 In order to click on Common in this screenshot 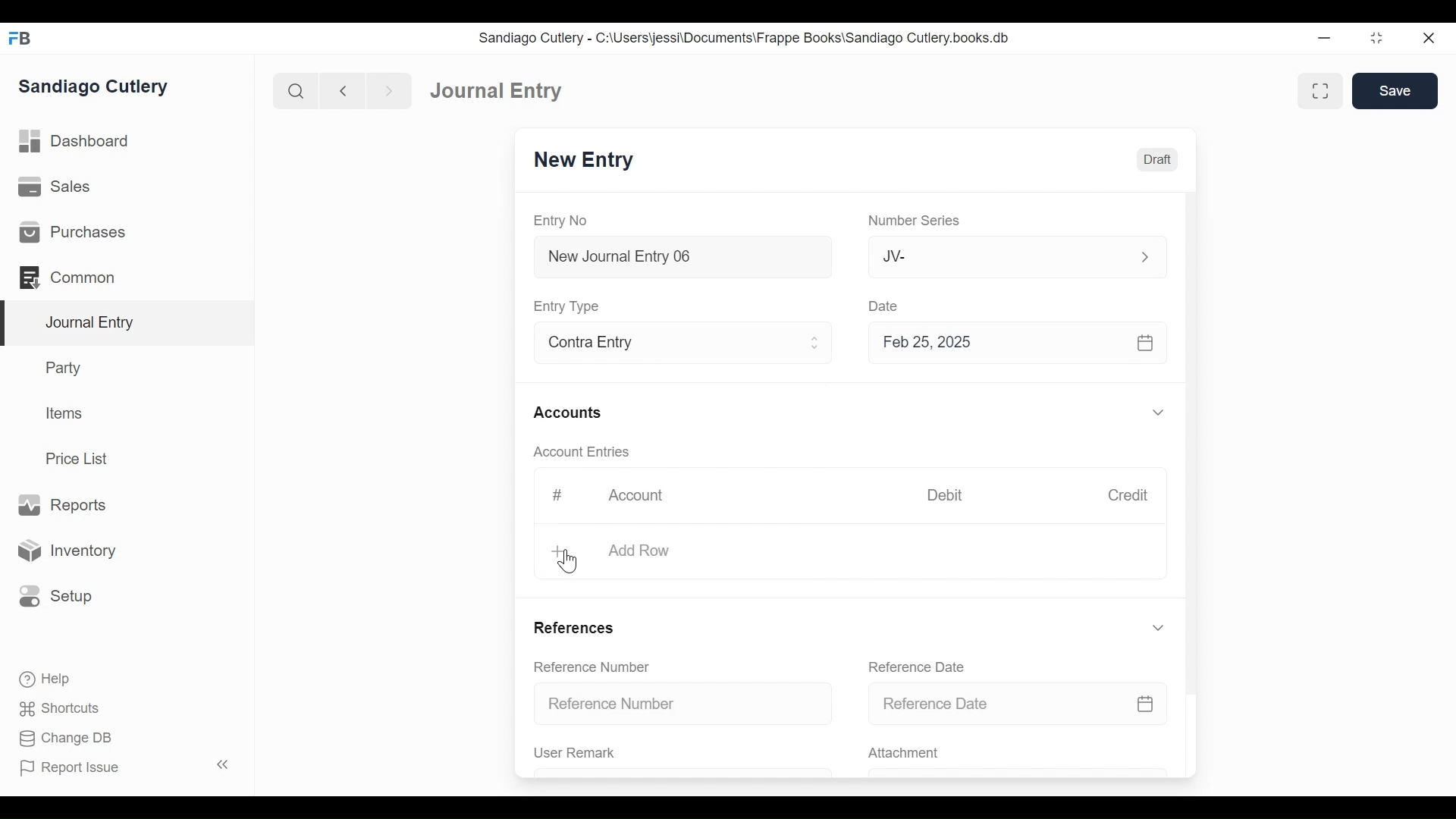, I will do `click(75, 278)`.